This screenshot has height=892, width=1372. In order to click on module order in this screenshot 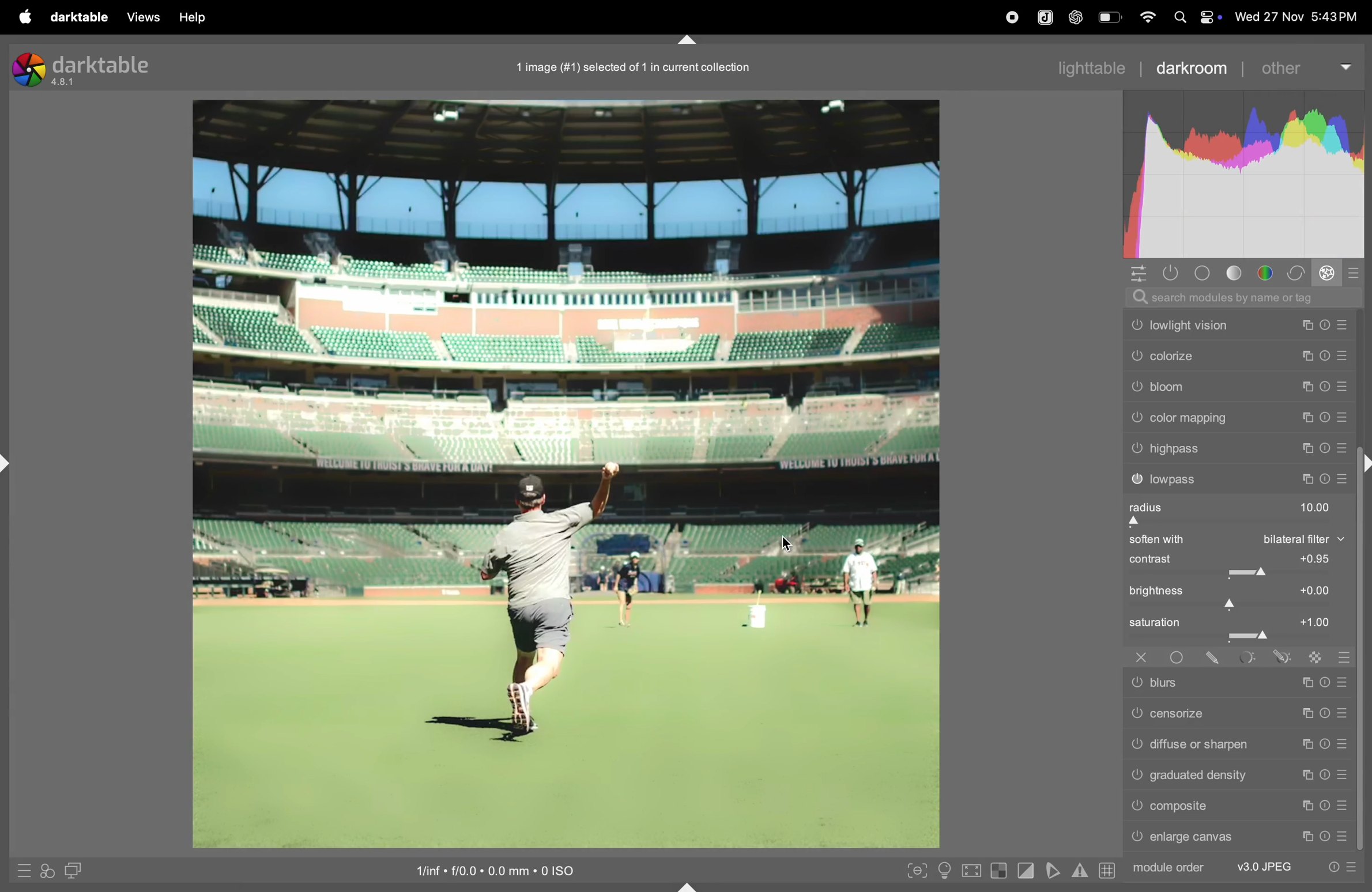, I will do `click(1245, 866)`.